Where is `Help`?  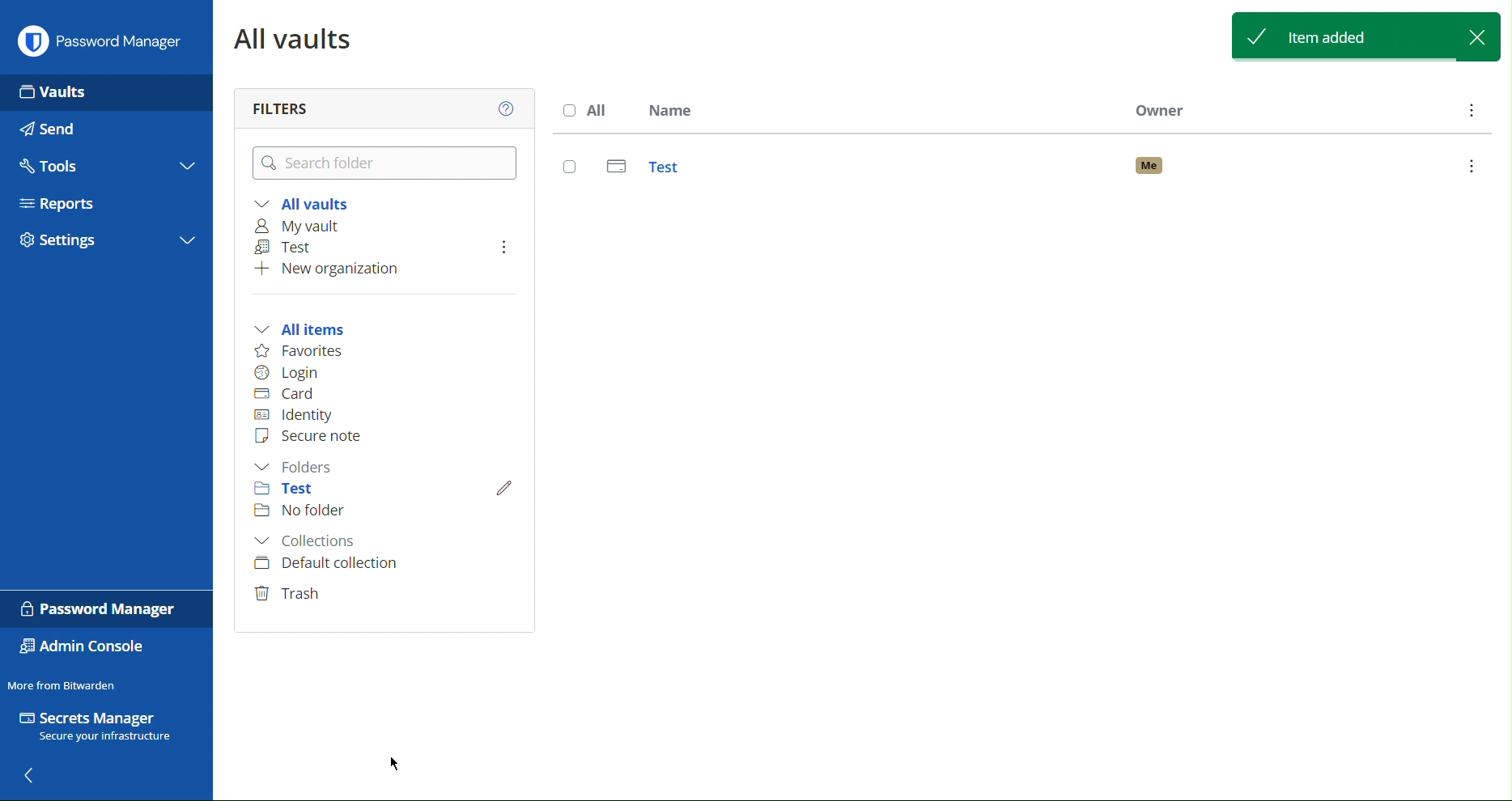 Help is located at coordinates (508, 108).